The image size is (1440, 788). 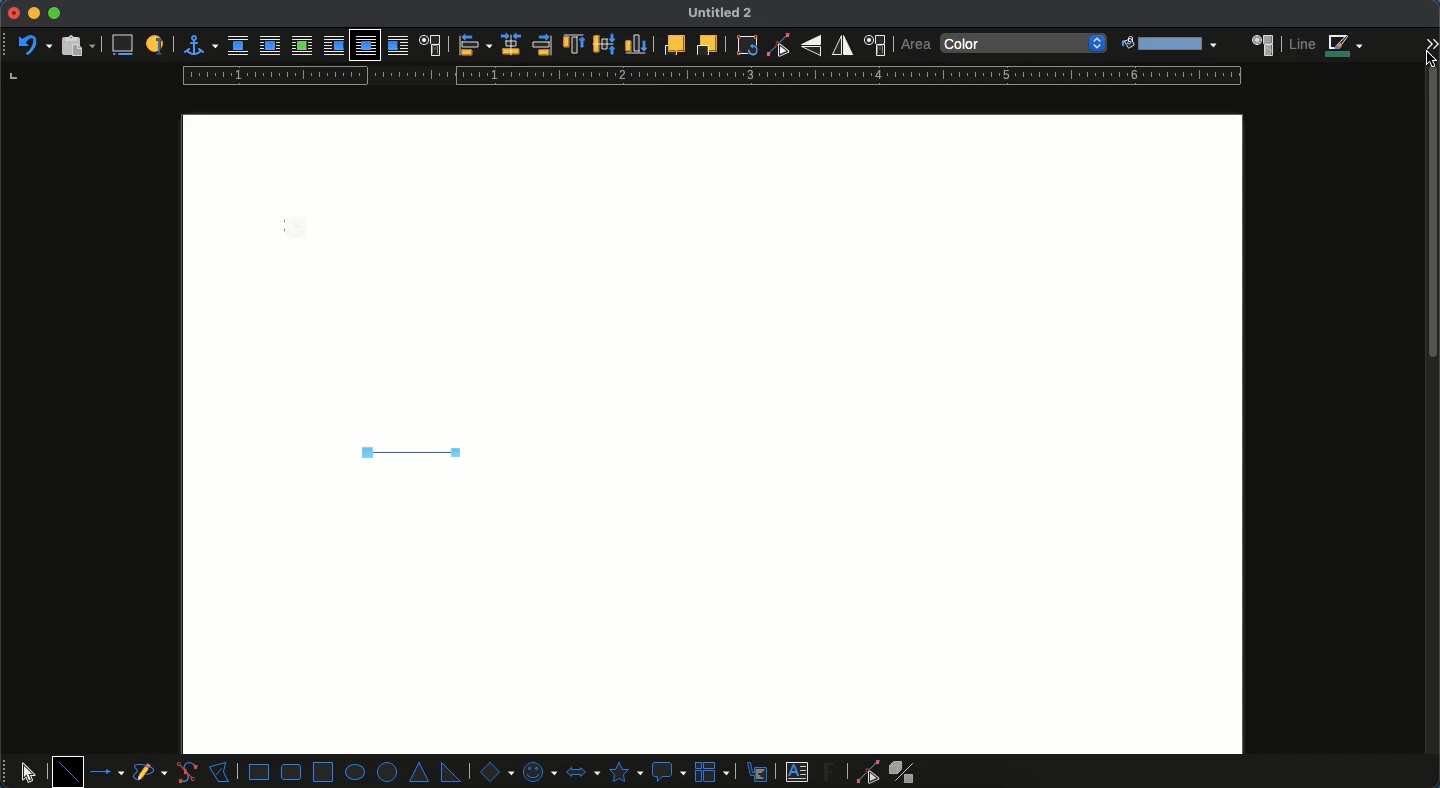 I want to click on rectangle, so click(x=259, y=772).